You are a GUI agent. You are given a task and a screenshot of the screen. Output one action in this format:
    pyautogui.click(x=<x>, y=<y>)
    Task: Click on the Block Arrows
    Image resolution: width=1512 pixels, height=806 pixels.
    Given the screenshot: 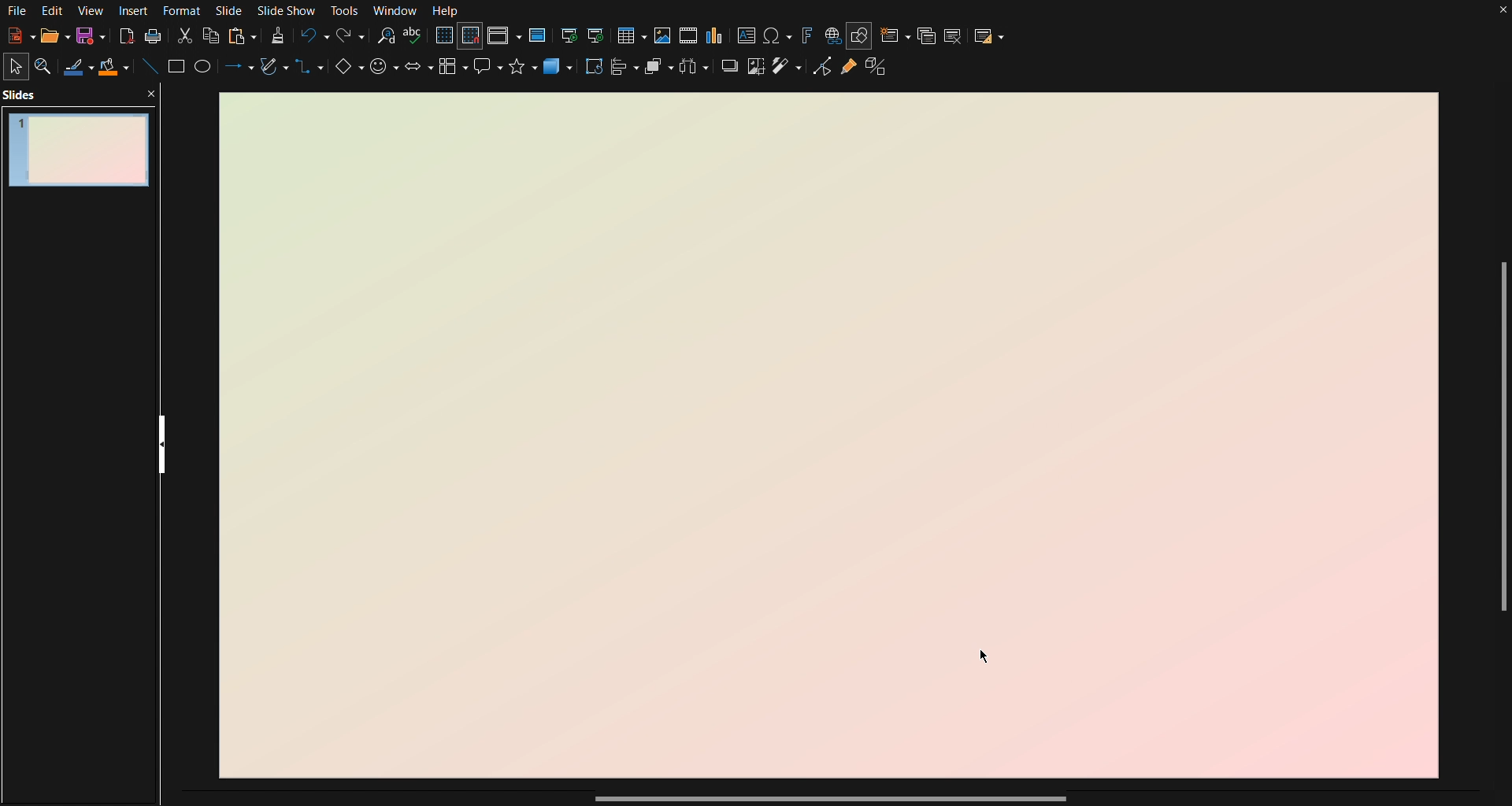 What is the action you would take?
    pyautogui.click(x=417, y=72)
    